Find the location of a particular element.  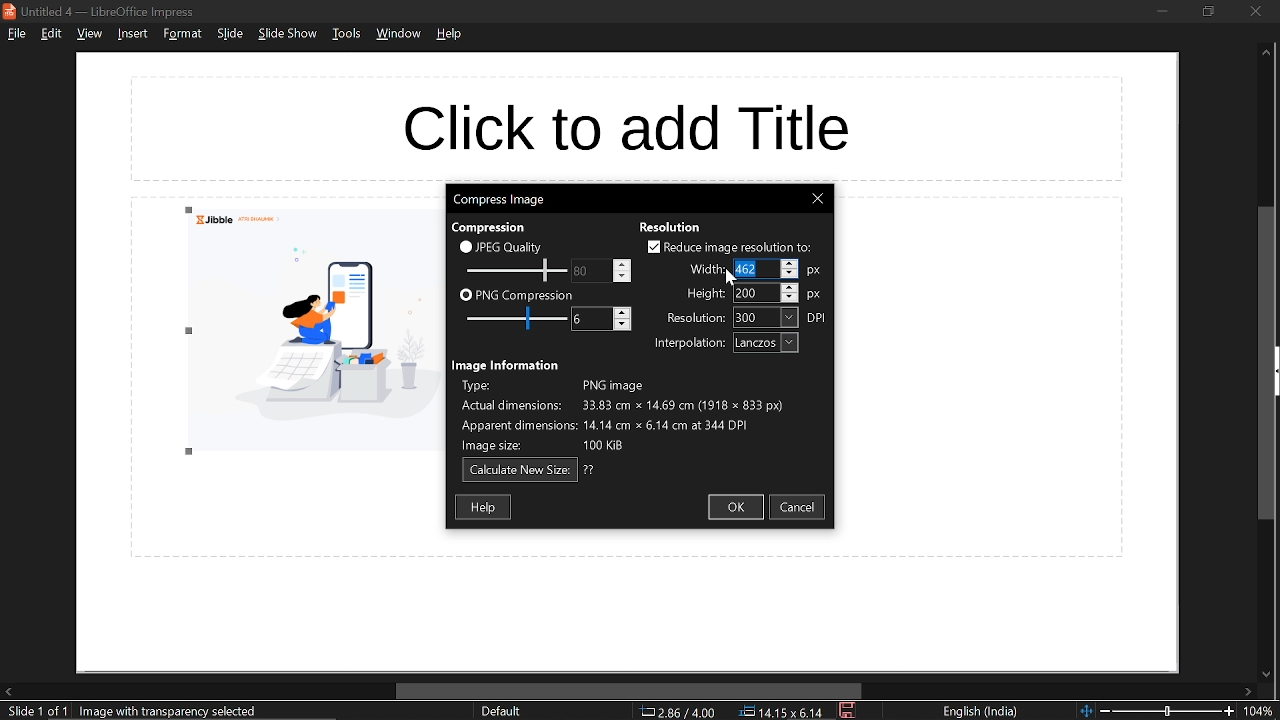

format is located at coordinates (182, 33).